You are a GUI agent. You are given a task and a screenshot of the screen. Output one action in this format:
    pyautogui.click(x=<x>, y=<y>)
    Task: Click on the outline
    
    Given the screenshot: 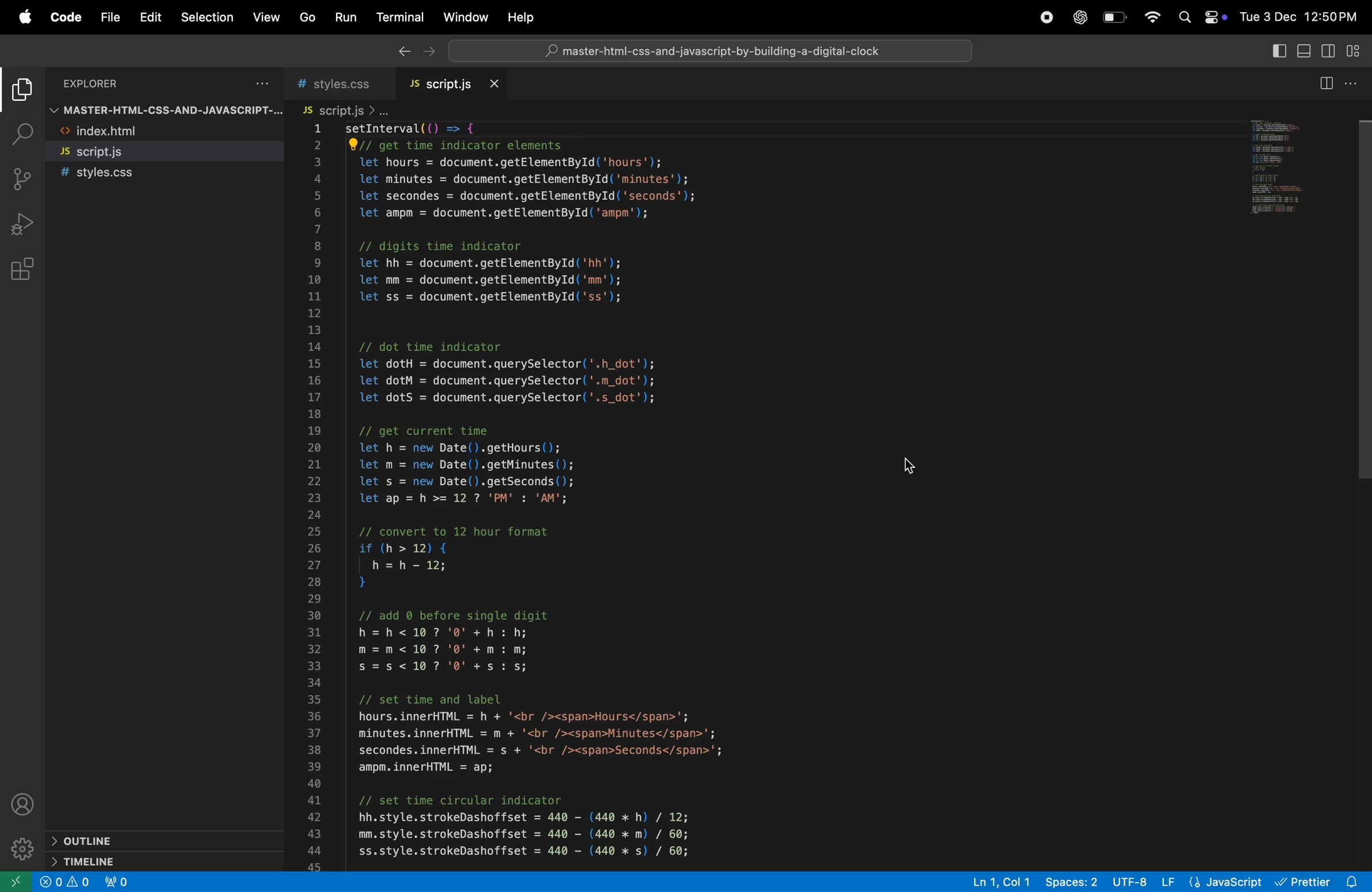 What is the action you would take?
    pyautogui.click(x=153, y=840)
    